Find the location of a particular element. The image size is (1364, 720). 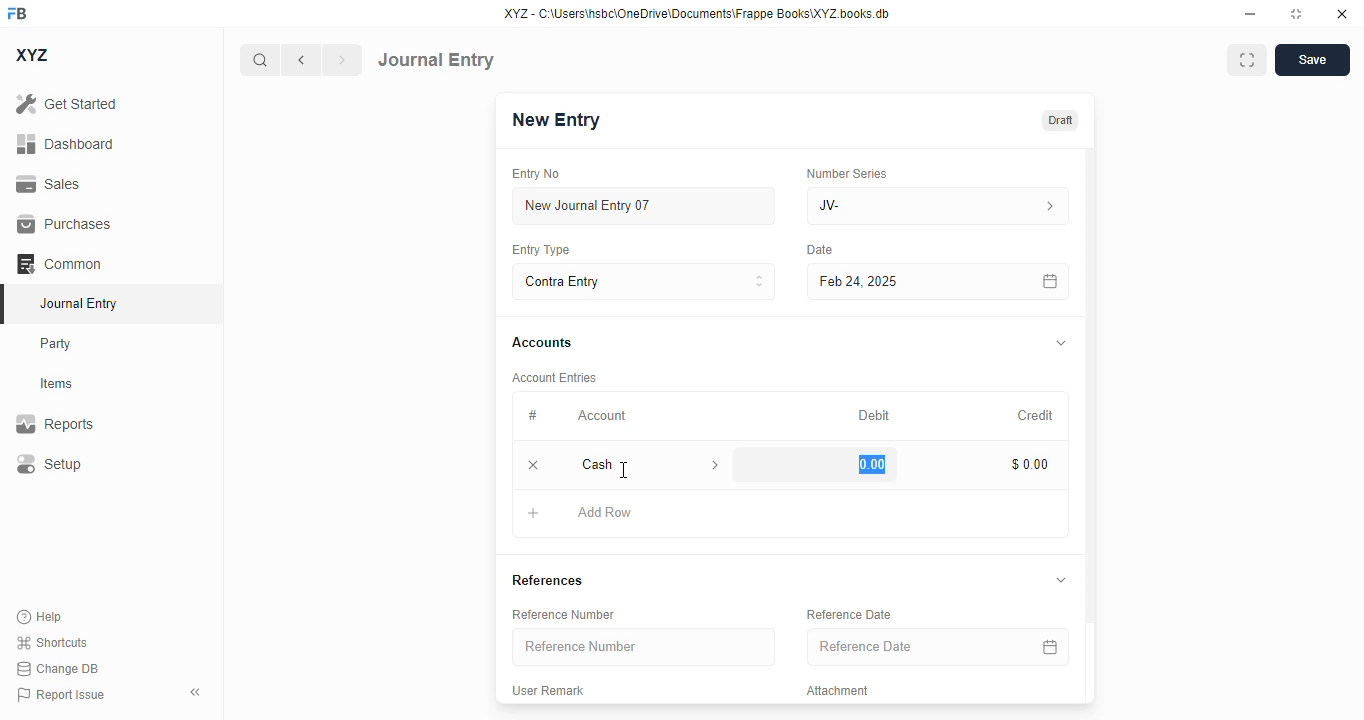

reference number is located at coordinates (645, 647).